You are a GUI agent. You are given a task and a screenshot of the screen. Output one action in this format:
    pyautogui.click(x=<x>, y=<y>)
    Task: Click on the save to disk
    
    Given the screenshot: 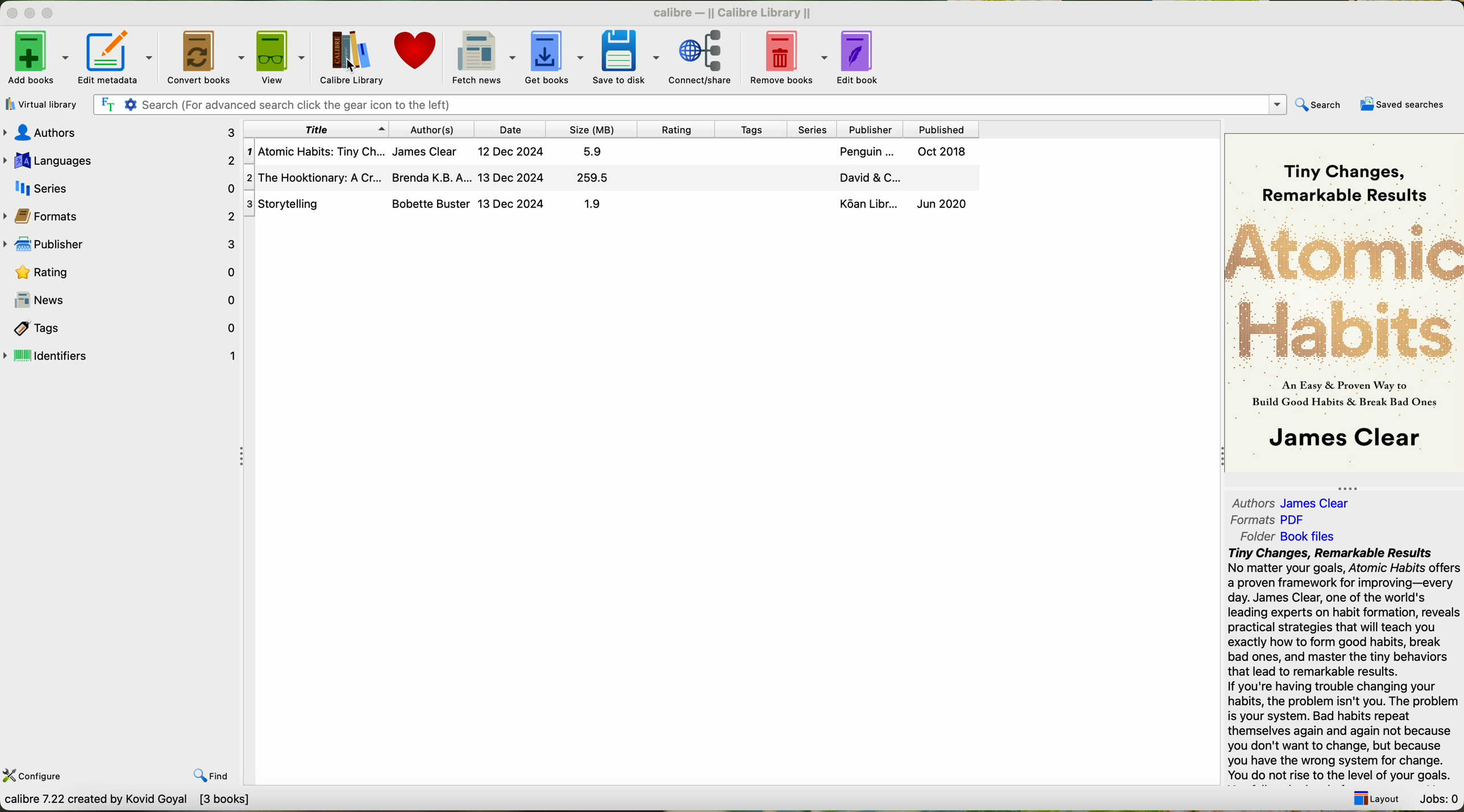 What is the action you would take?
    pyautogui.click(x=626, y=56)
    